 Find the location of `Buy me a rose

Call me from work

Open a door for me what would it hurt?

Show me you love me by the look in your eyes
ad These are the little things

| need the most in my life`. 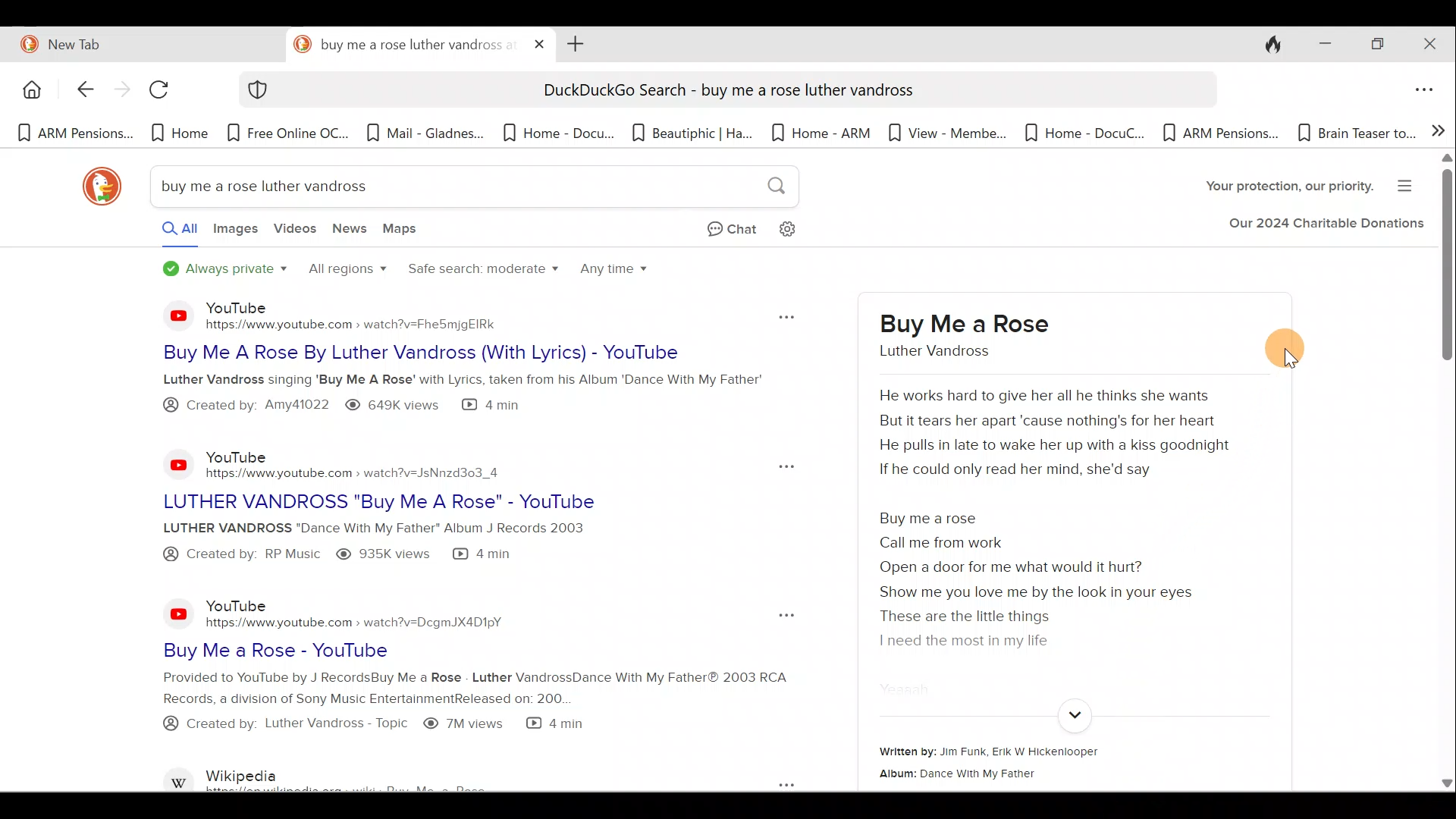

Buy me a rose

Call me from work

Open a door for me what would it hurt?

Show me you love me by the look in your eyes
ad These are the little things

| need the most in my life is located at coordinates (1053, 581).